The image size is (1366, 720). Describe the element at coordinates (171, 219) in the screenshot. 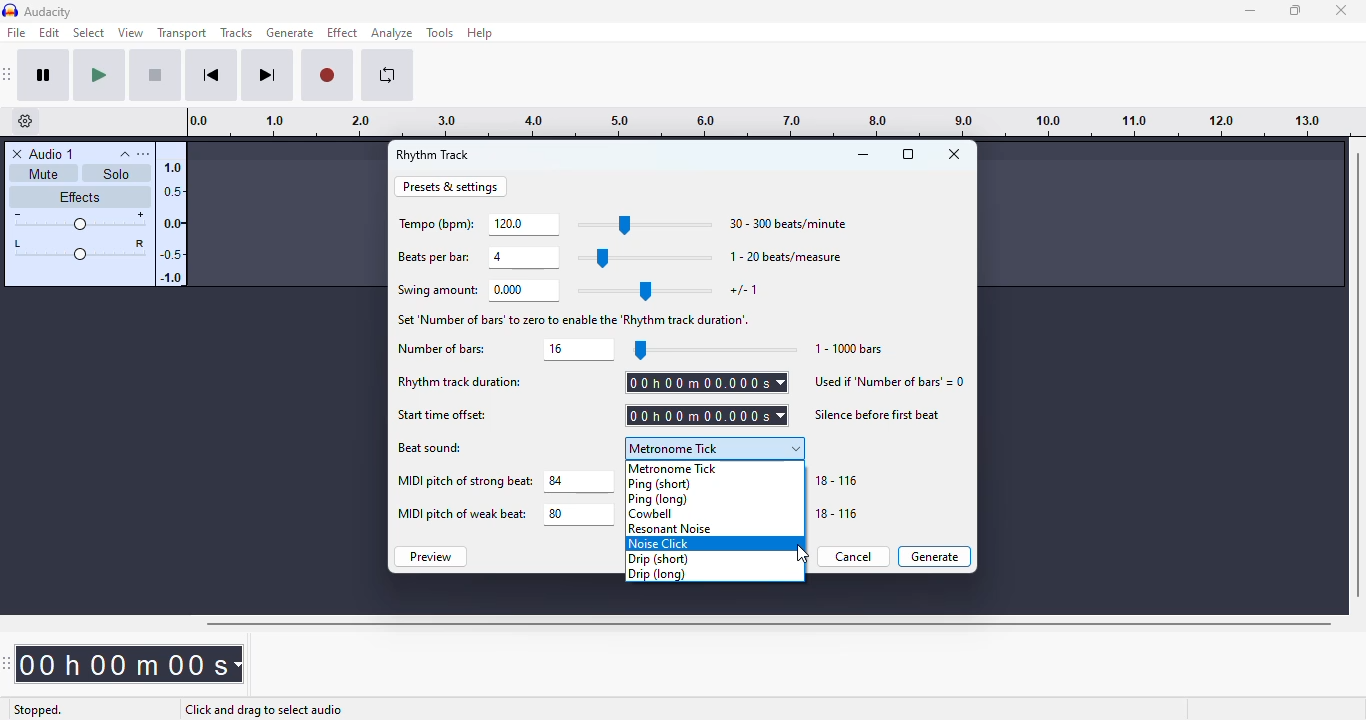

I see `amplitude` at that location.